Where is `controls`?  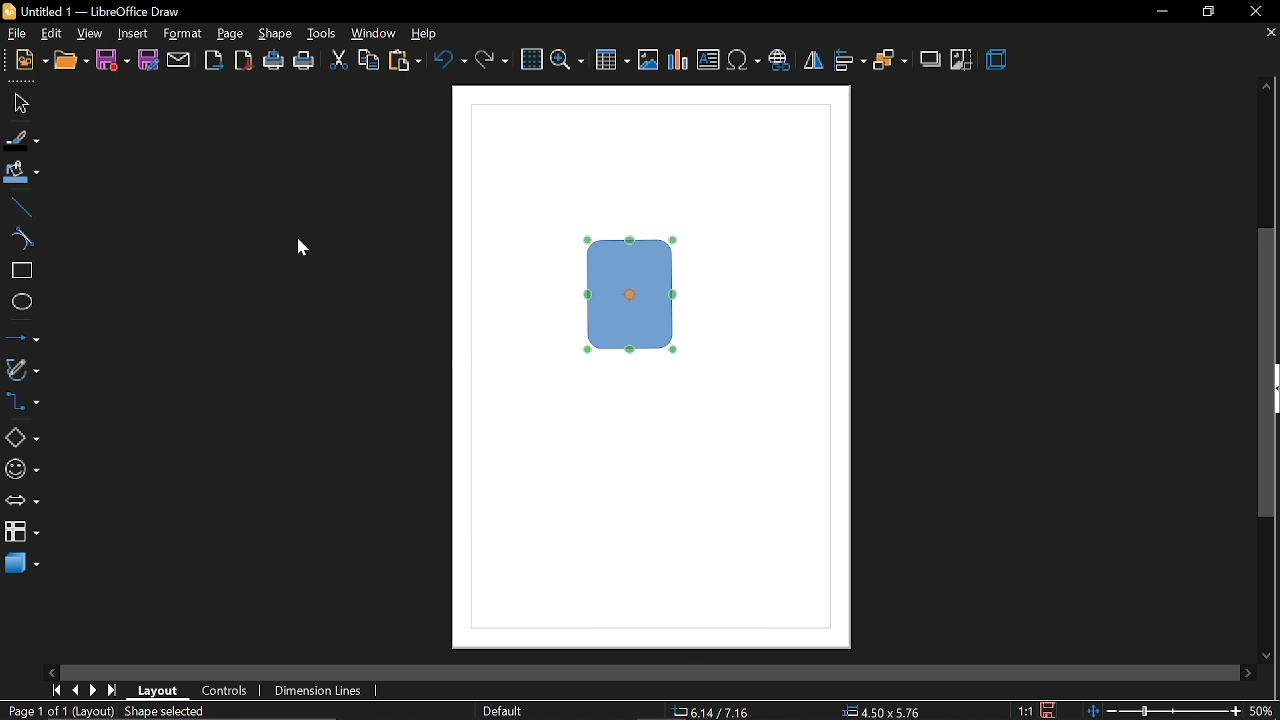 controls is located at coordinates (227, 689).